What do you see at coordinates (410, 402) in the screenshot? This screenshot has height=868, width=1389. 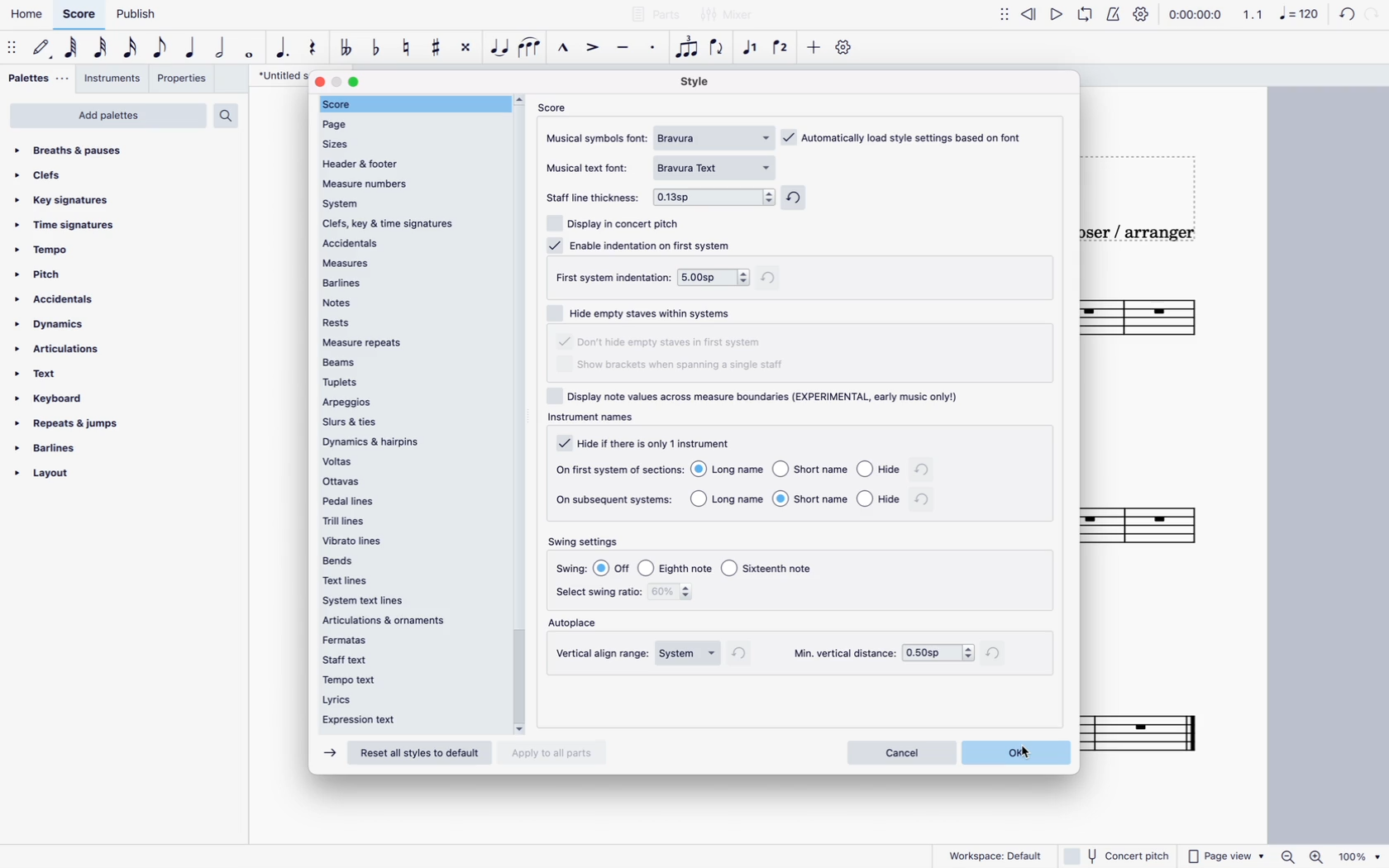 I see `arpeggios` at bounding box center [410, 402].